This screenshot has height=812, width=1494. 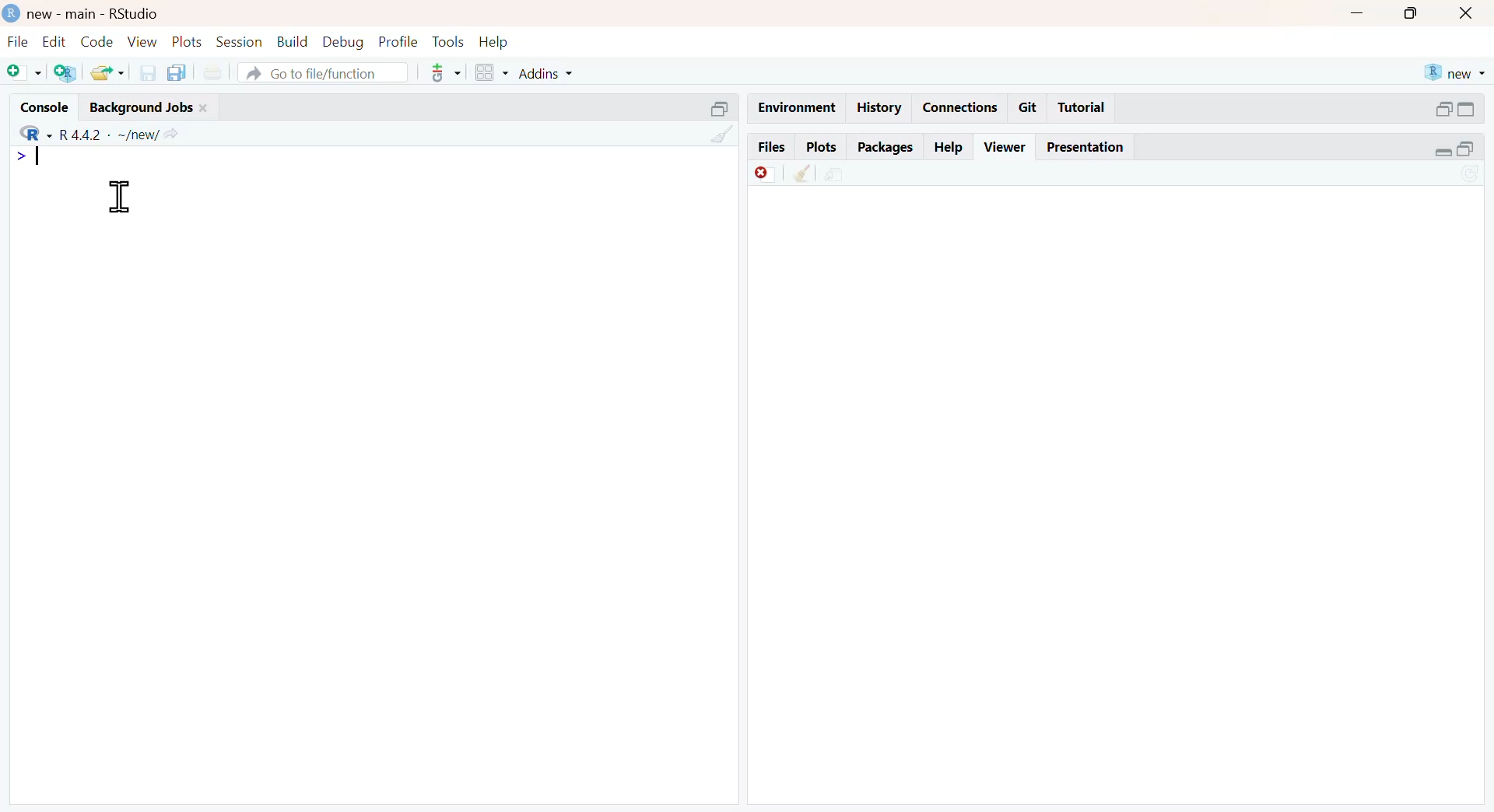 I want to click on print, so click(x=214, y=70).